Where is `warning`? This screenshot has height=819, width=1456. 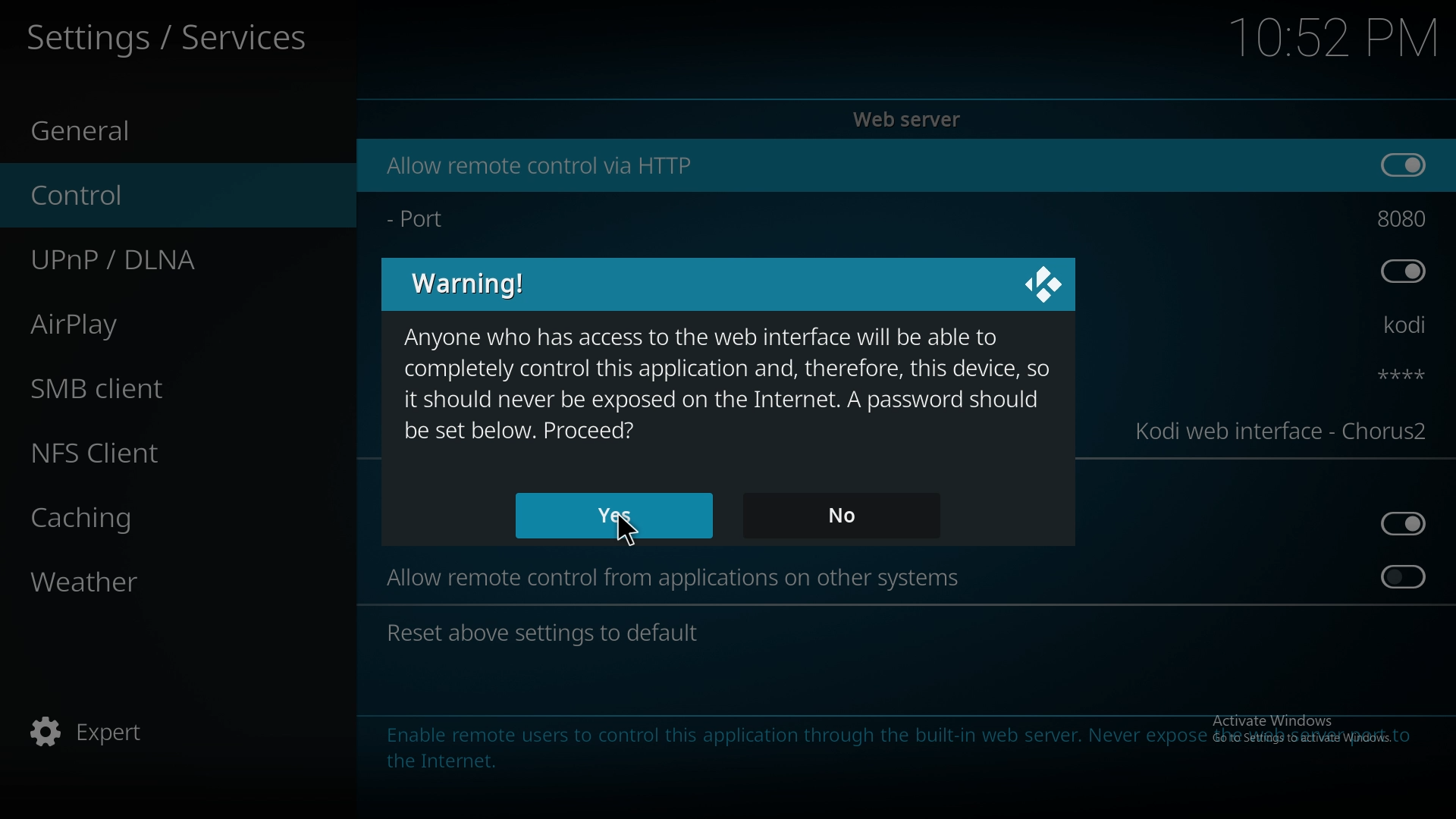 warning is located at coordinates (469, 284).